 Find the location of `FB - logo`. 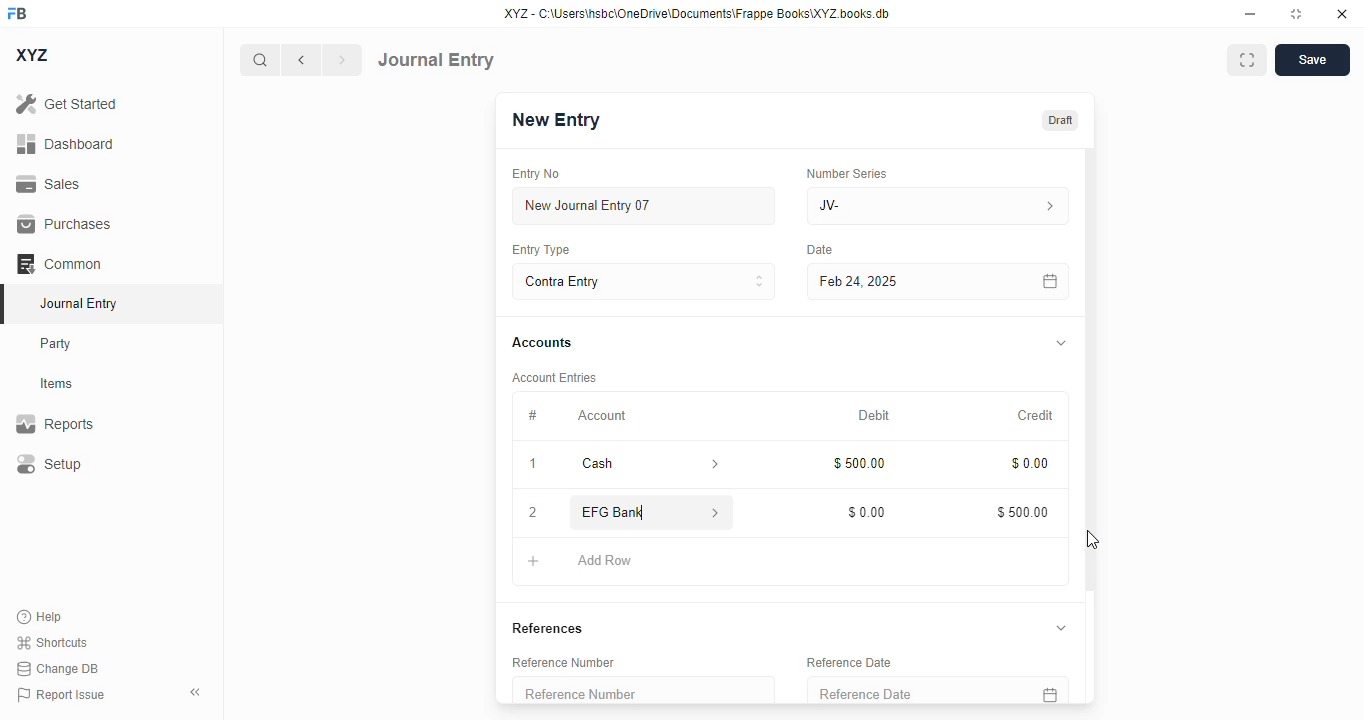

FB - logo is located at coordinates (17, 13).